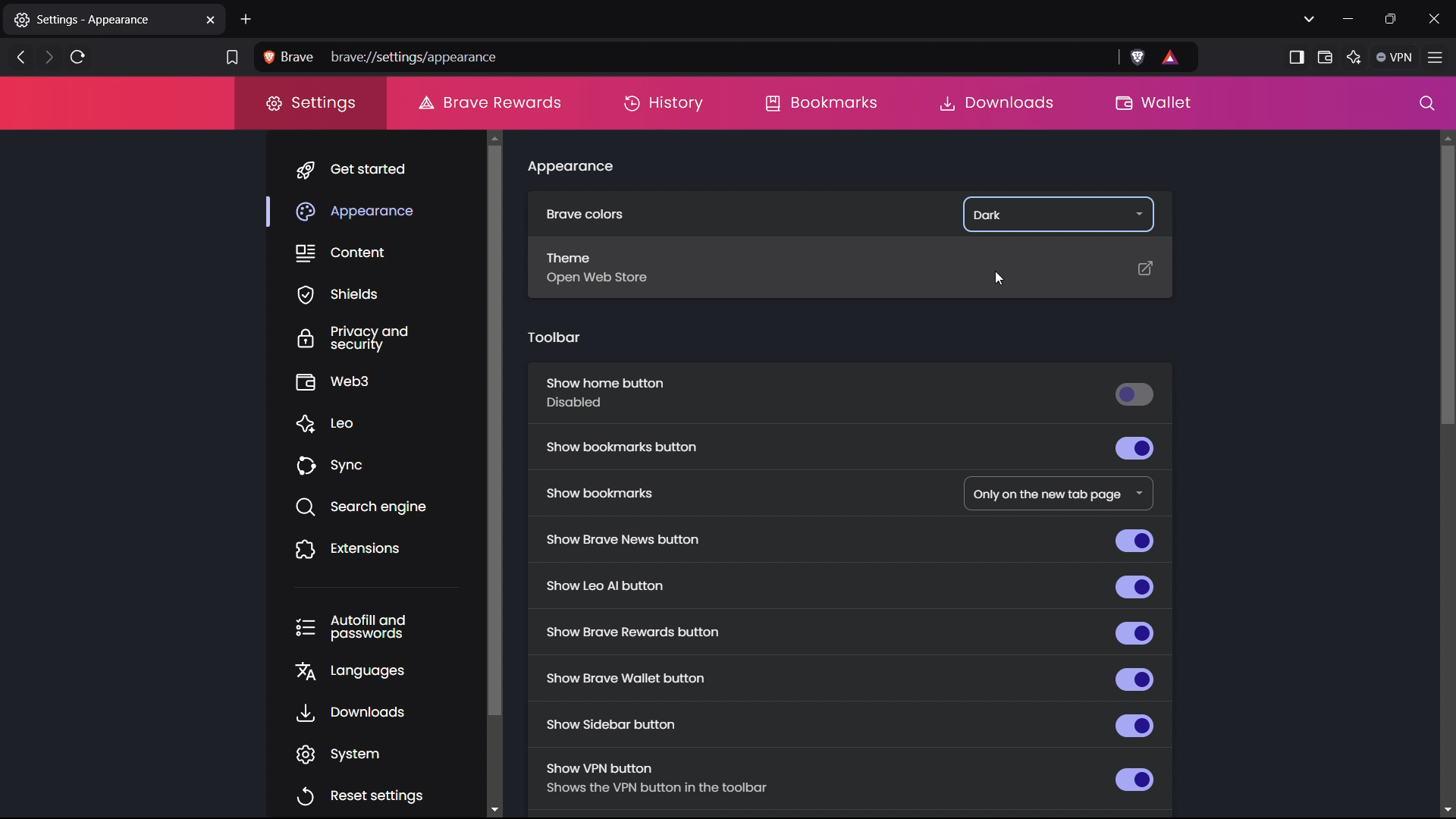 This screenshot has height=819, width=1456. I want to click on privacy and security, so click(388, 336).